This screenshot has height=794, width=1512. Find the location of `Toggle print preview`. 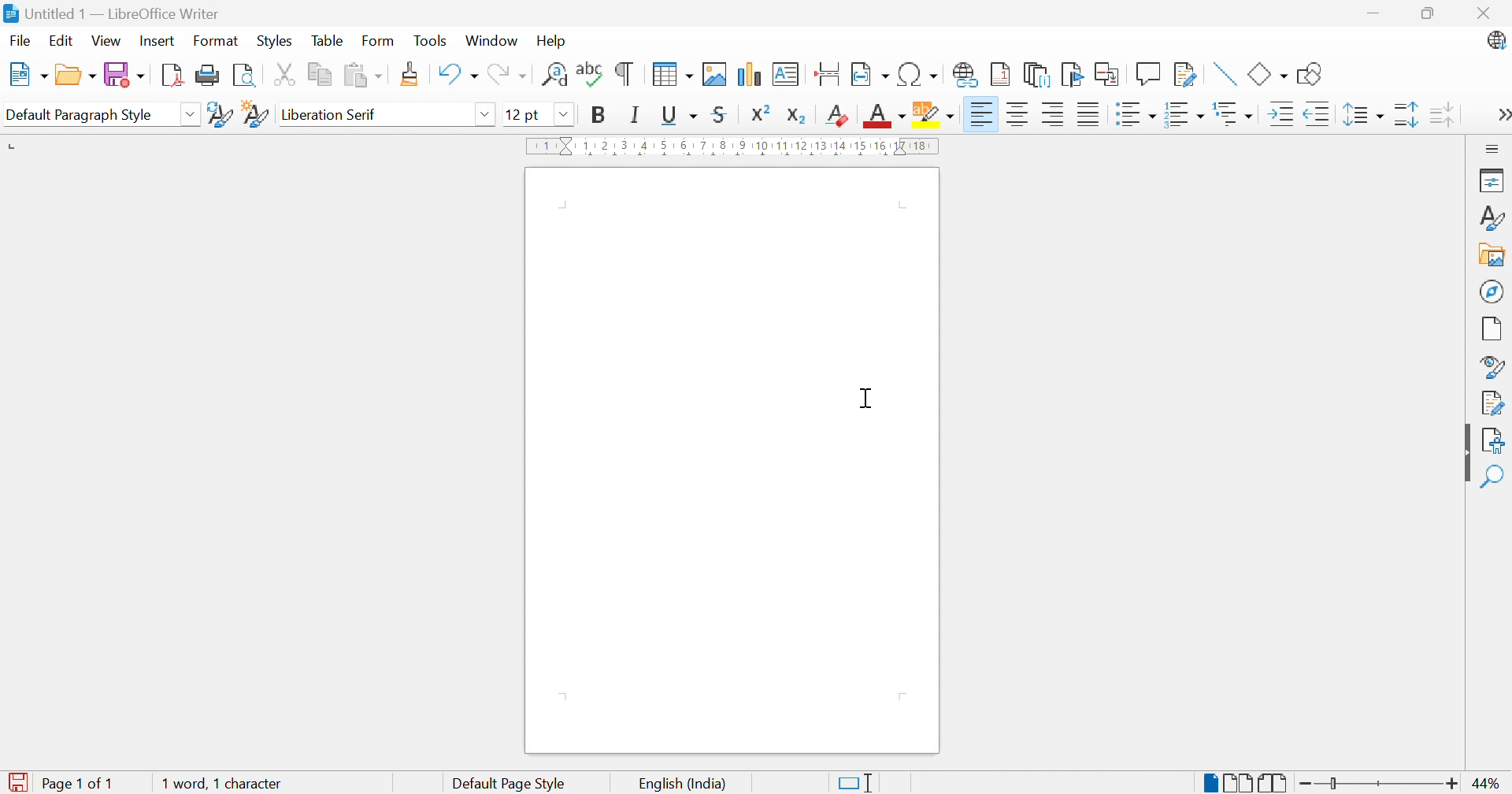

Toggle print preview is located at coordinates (249, 76).